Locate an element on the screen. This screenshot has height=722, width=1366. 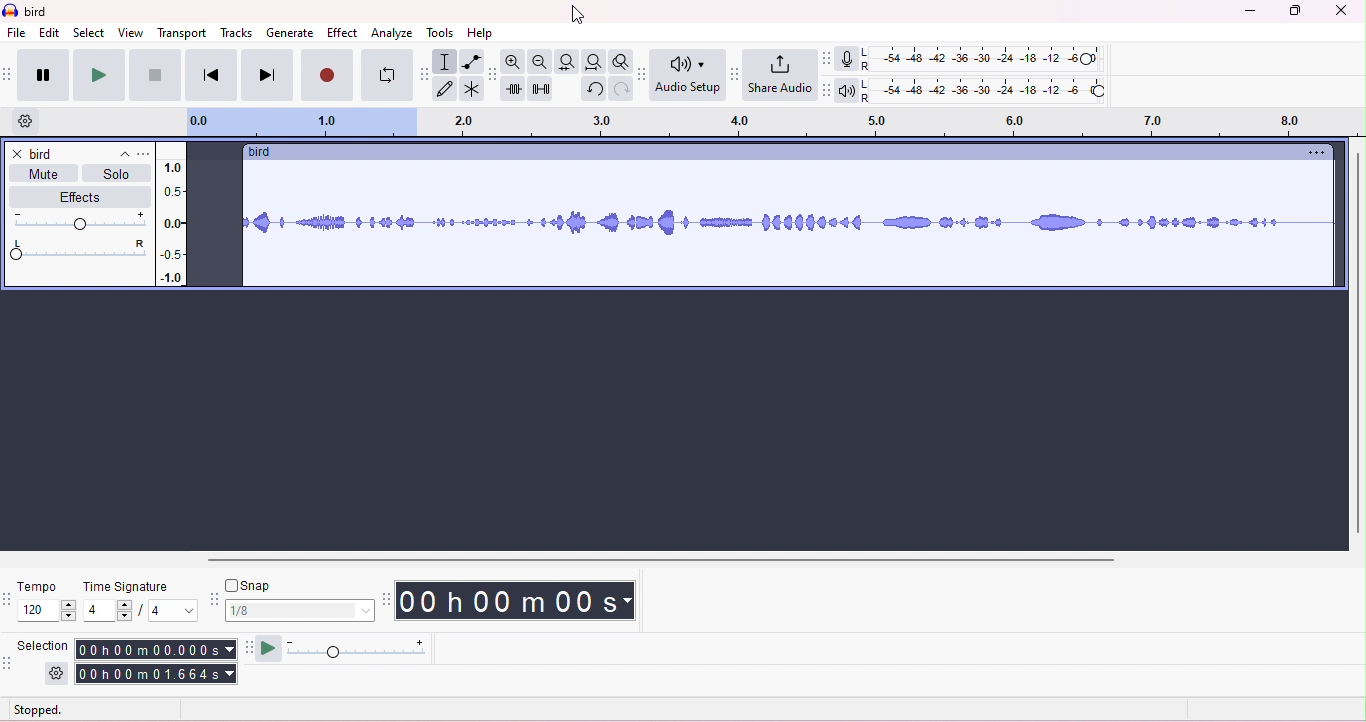
time signature is located at coordinates (125, 587).